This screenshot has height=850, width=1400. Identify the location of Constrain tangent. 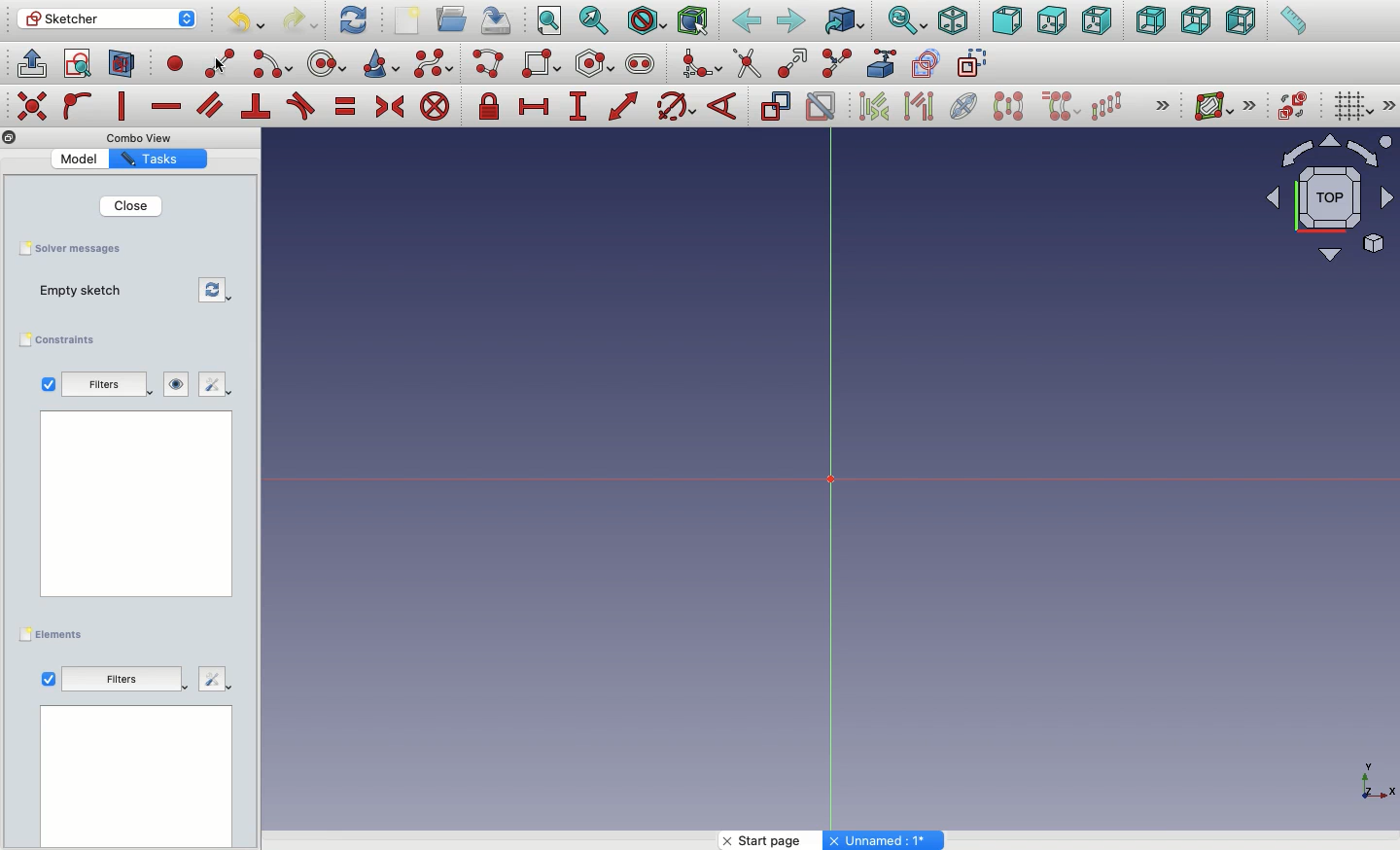
(301, 106).